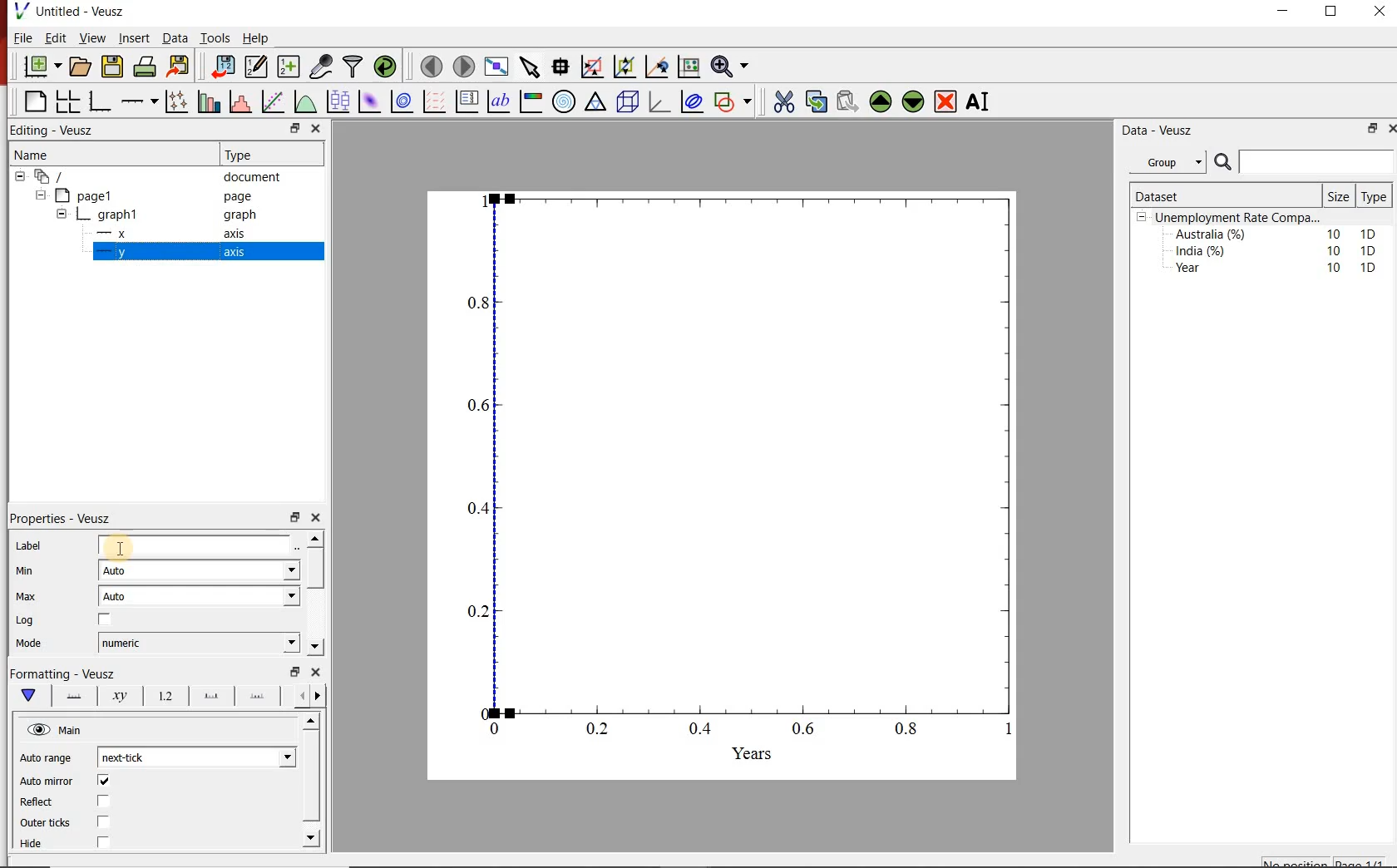 Image resolution: width=1397 pixels, height=868 pixels. I want to click on minimise, so click(1371, 128).